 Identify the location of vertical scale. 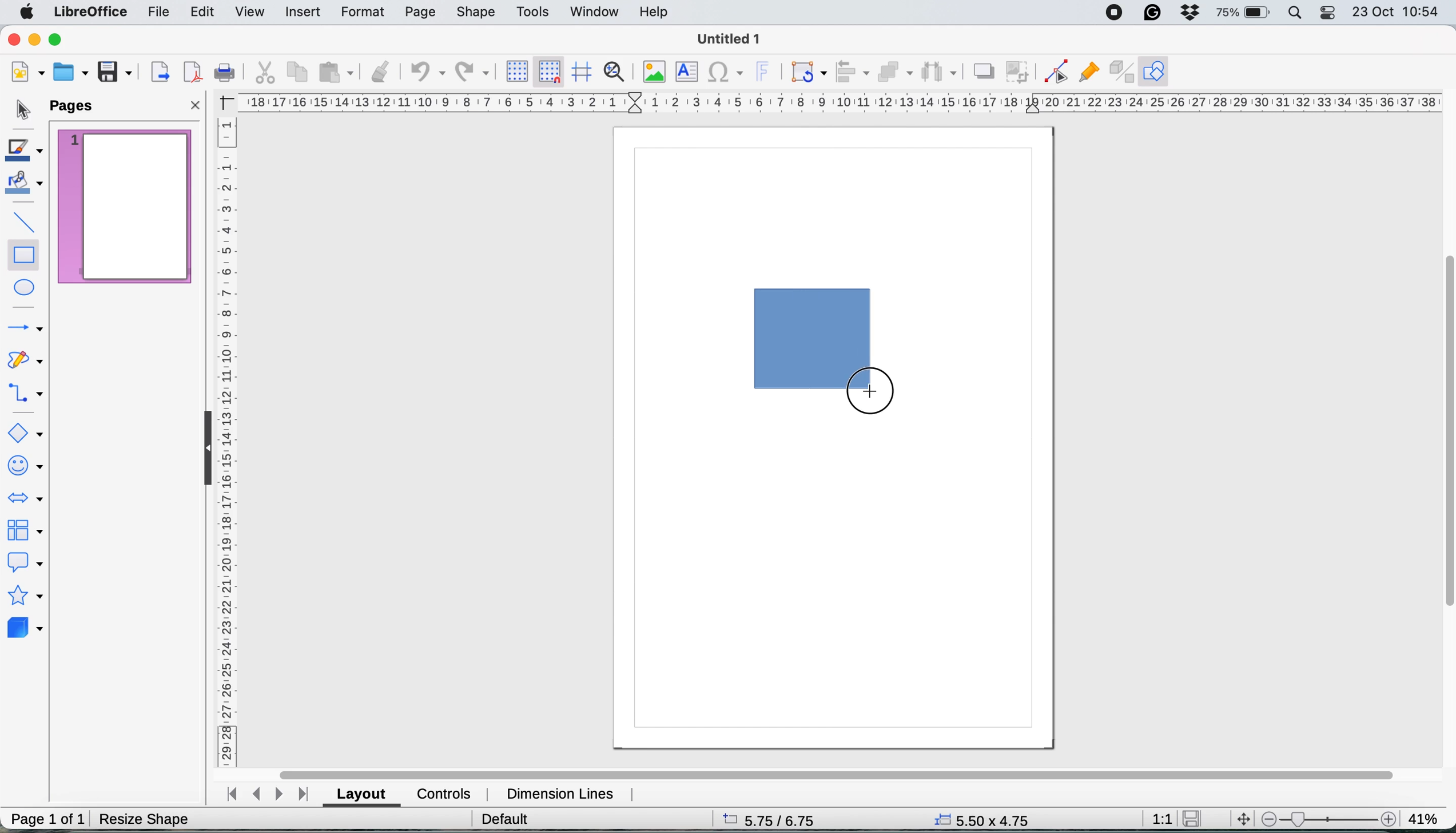
(226, 440).